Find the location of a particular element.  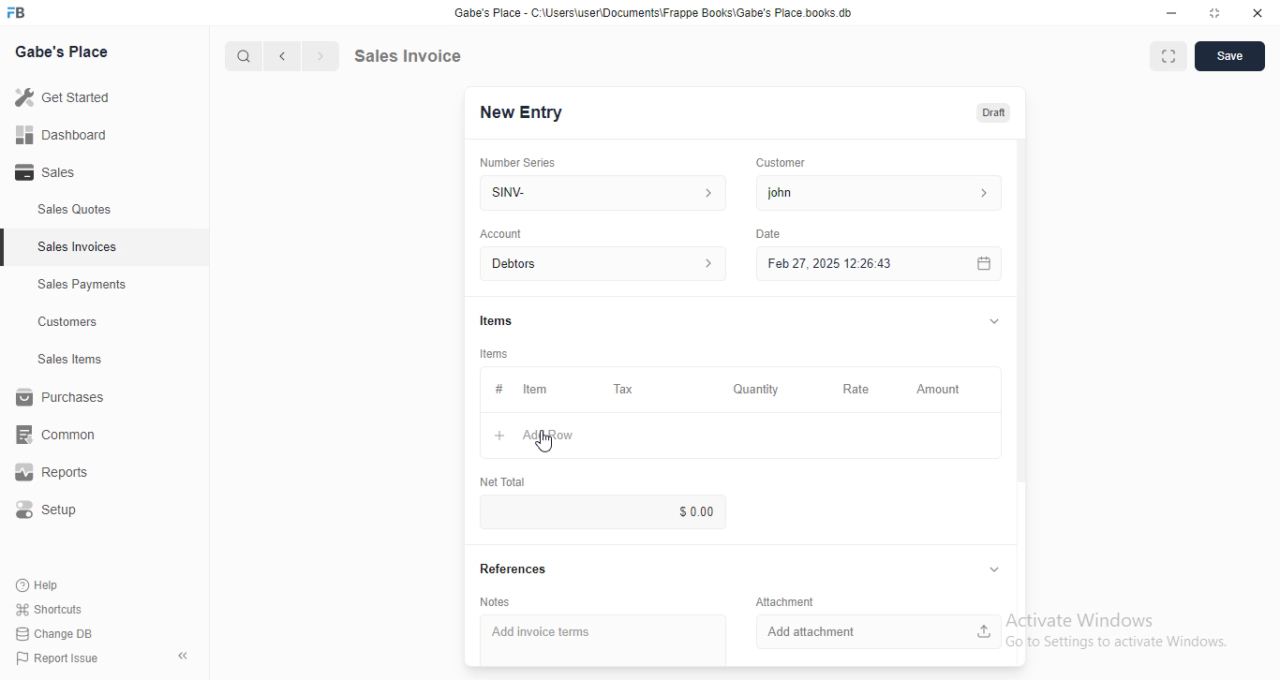

Date is located at coordinates (770, 232).